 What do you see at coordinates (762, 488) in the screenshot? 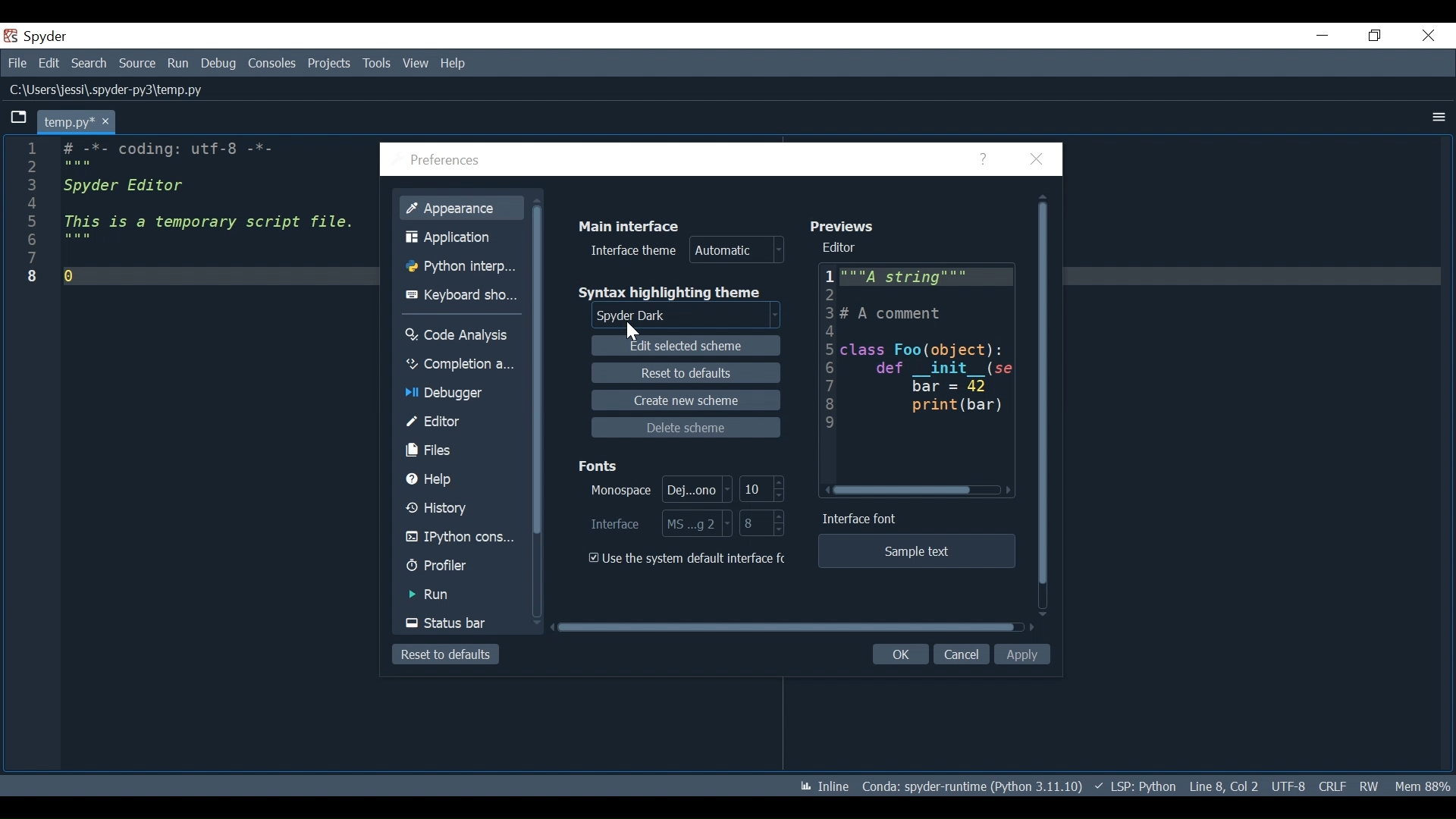
I see `Select Monospace Font Size` at bounding box center [762, 488].